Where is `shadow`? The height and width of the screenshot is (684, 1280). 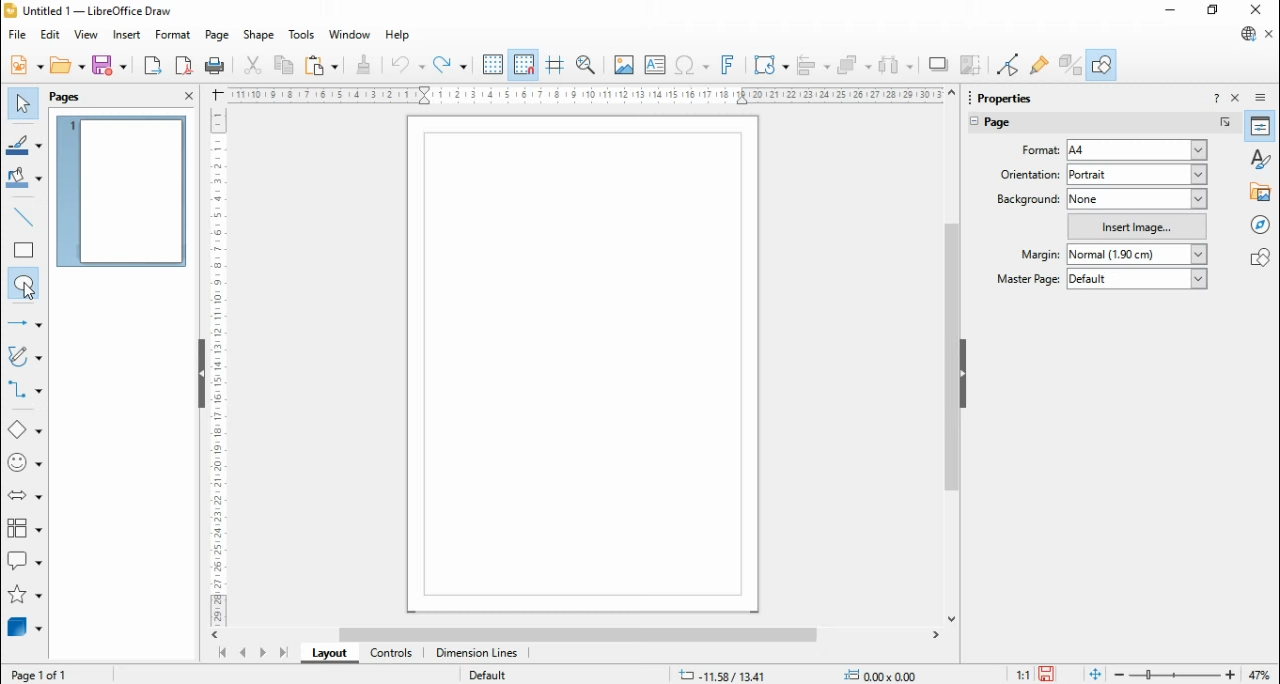
shadow is located at coordinates (939, 64).